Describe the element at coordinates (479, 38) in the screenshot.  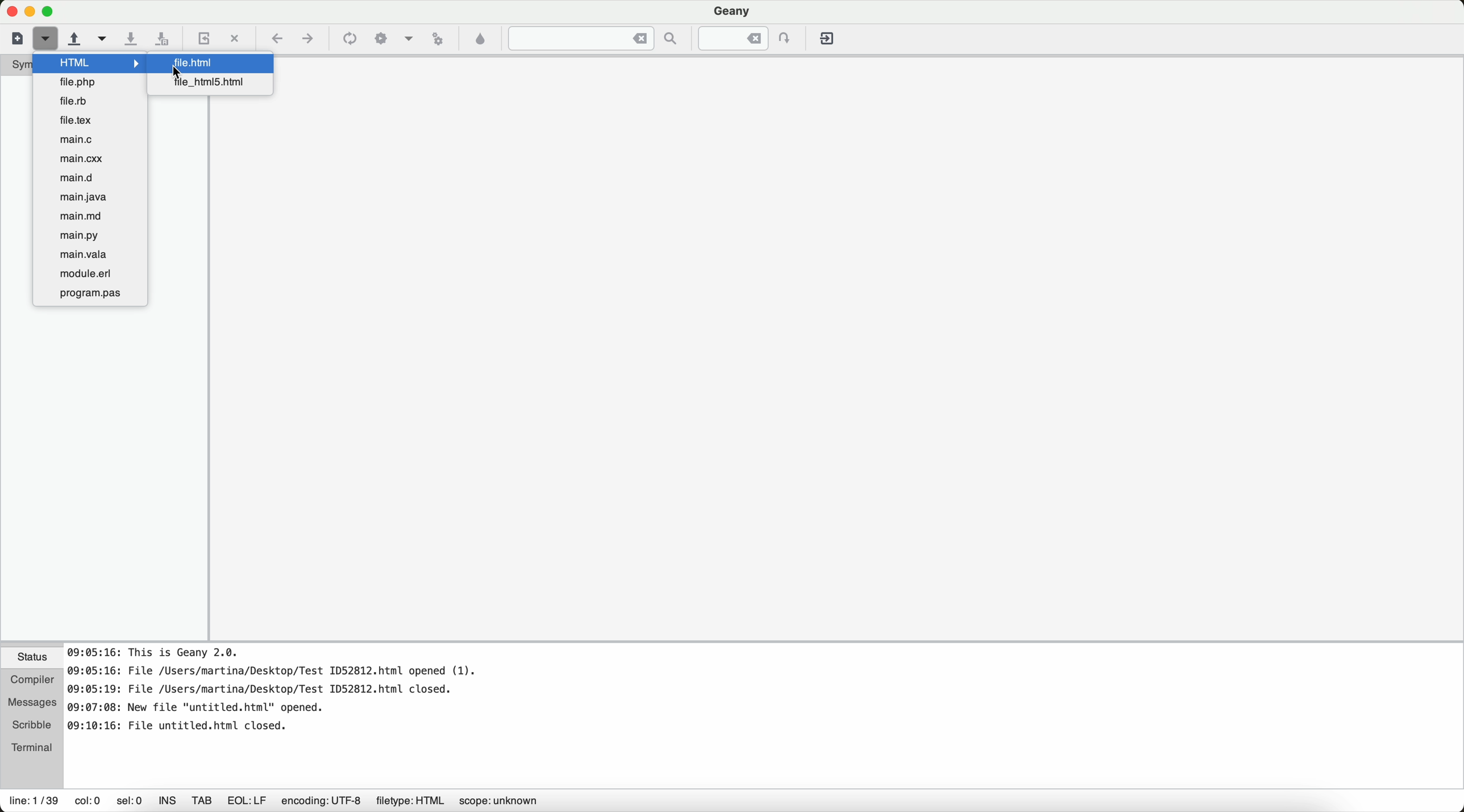
I see `color` at that location.